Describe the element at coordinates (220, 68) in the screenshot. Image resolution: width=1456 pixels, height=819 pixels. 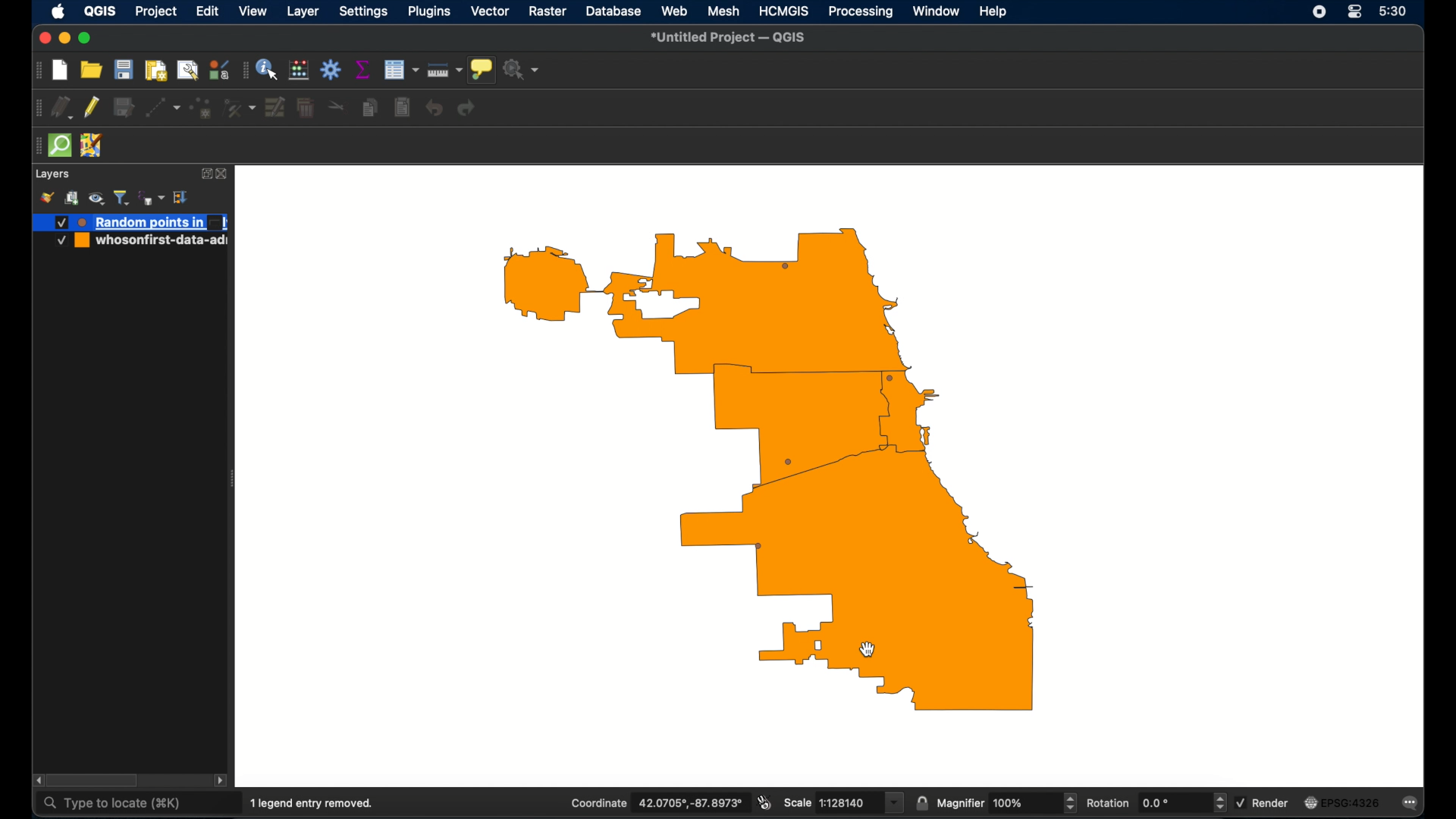
I see `style manager` at that location.